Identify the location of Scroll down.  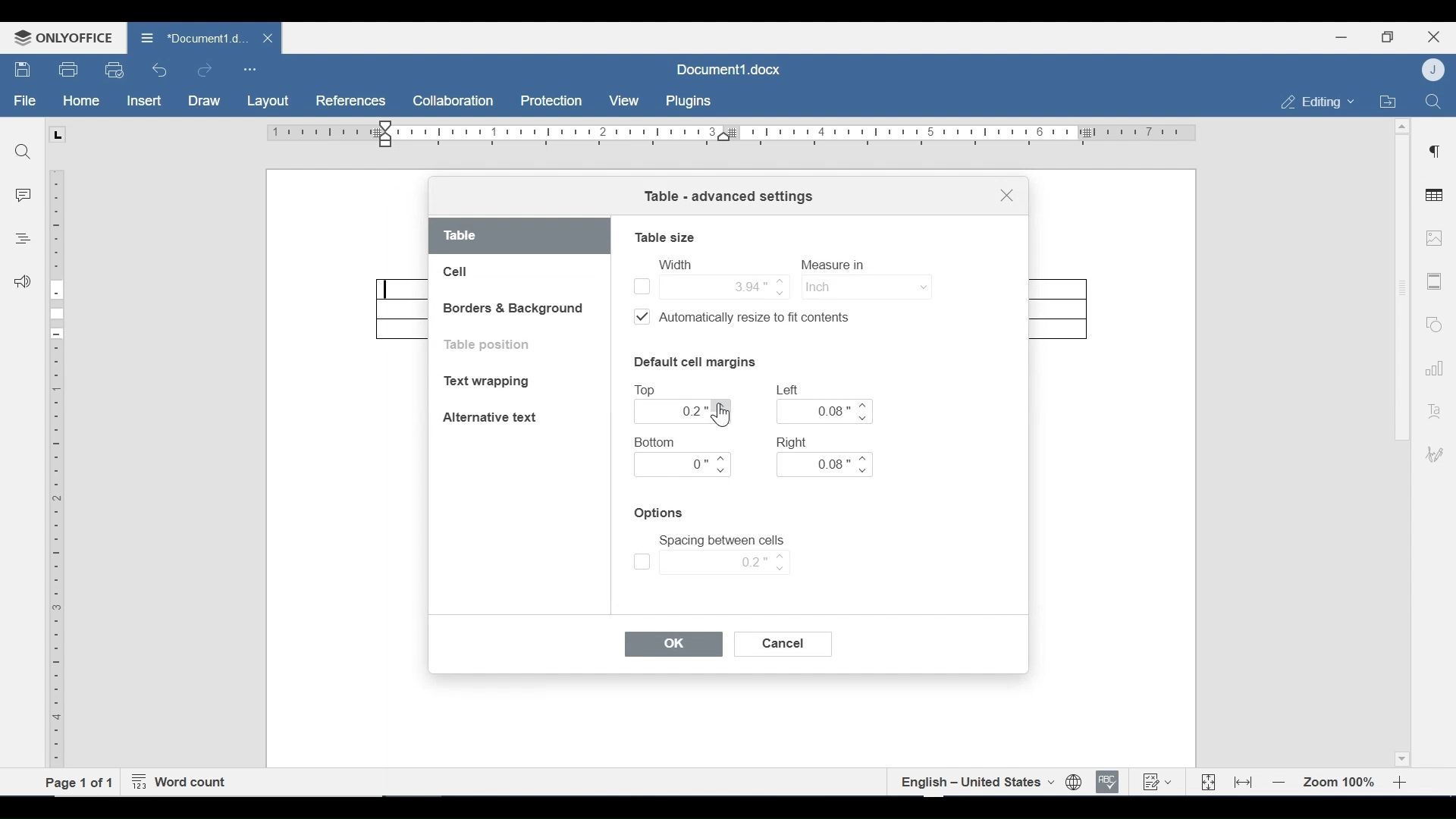
(1401, 757).